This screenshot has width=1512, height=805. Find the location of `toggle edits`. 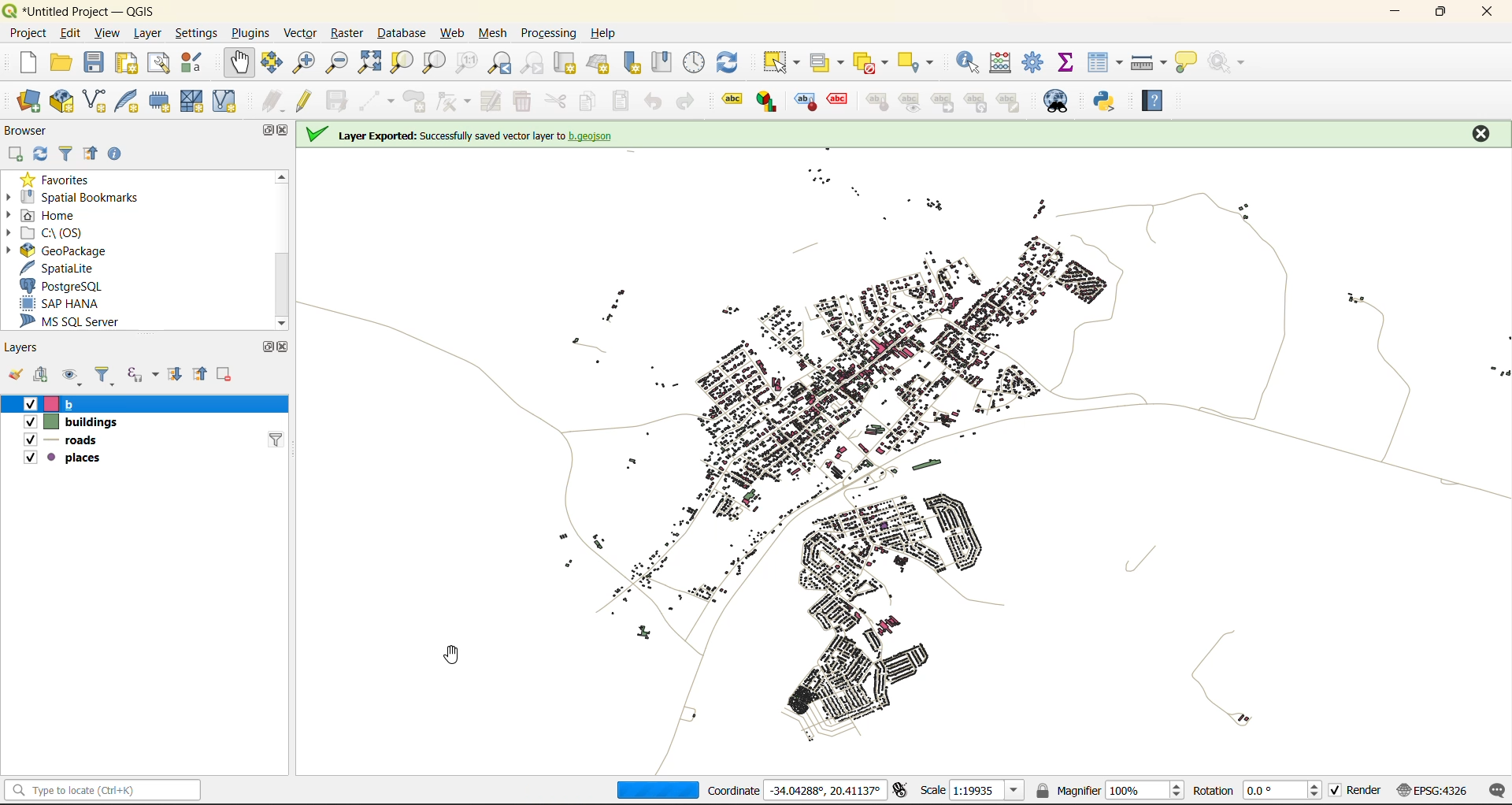

toggle edits is located at coordinates (304, 99).